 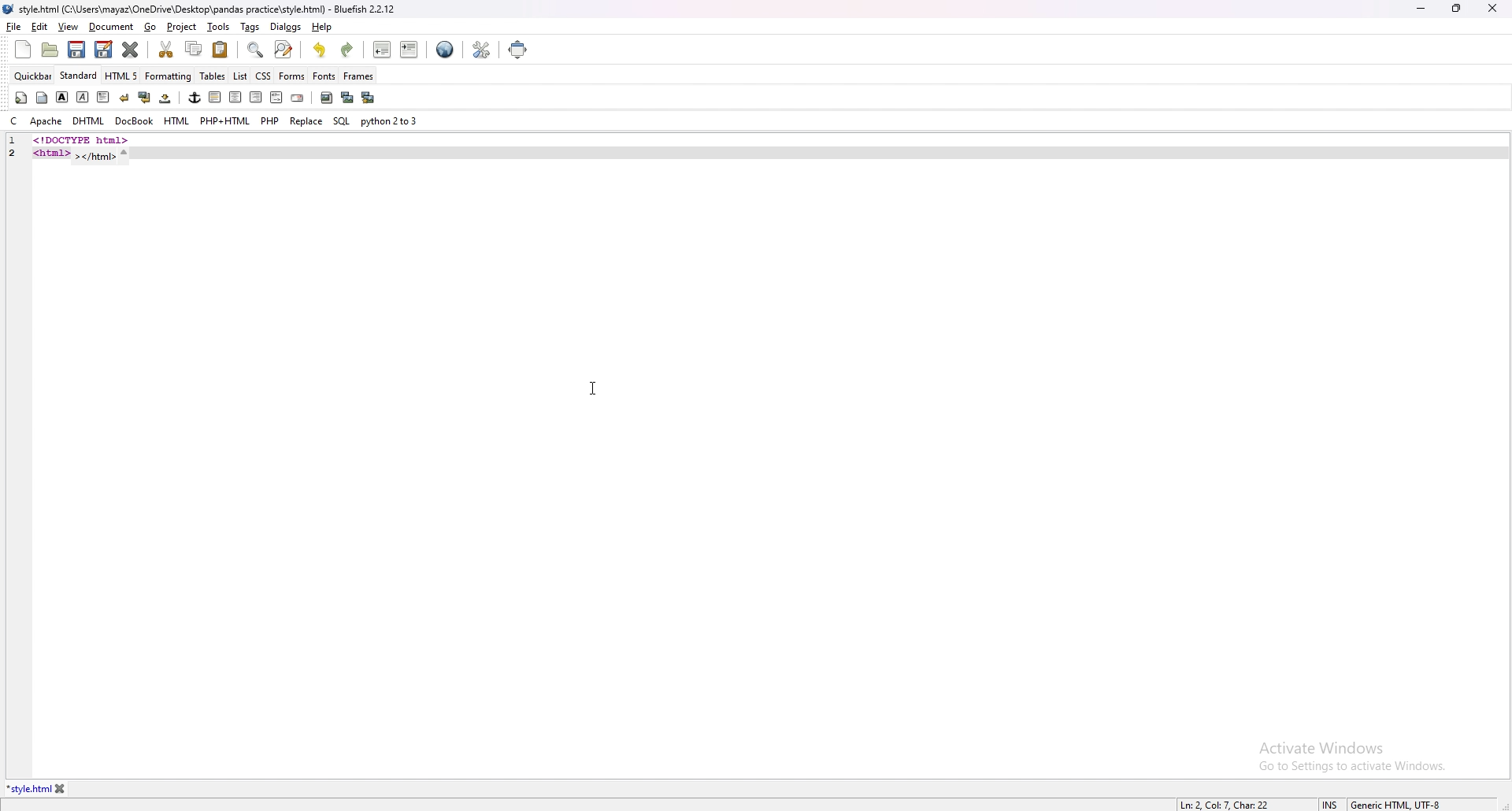 I want to click on break, so click(x=124, y=97).